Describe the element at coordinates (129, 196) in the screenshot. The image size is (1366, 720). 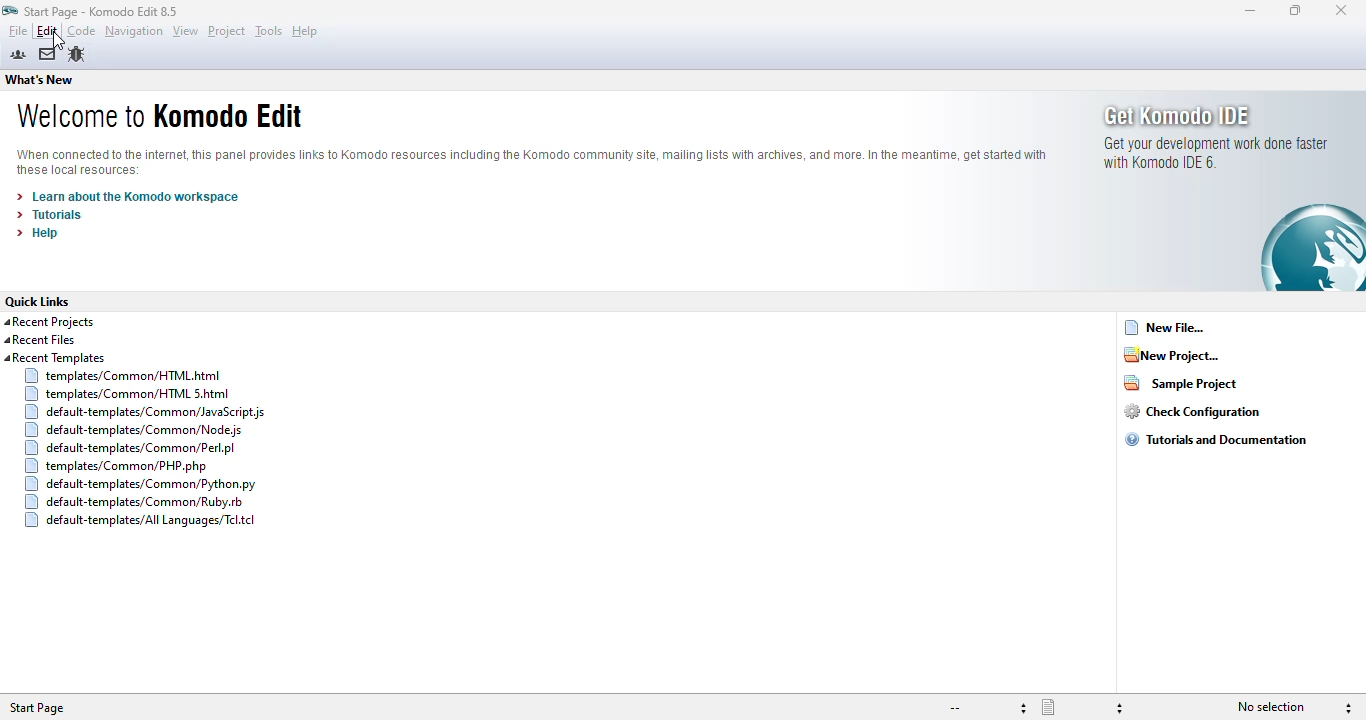
I see `learn about the Komodo workspace` at that location.